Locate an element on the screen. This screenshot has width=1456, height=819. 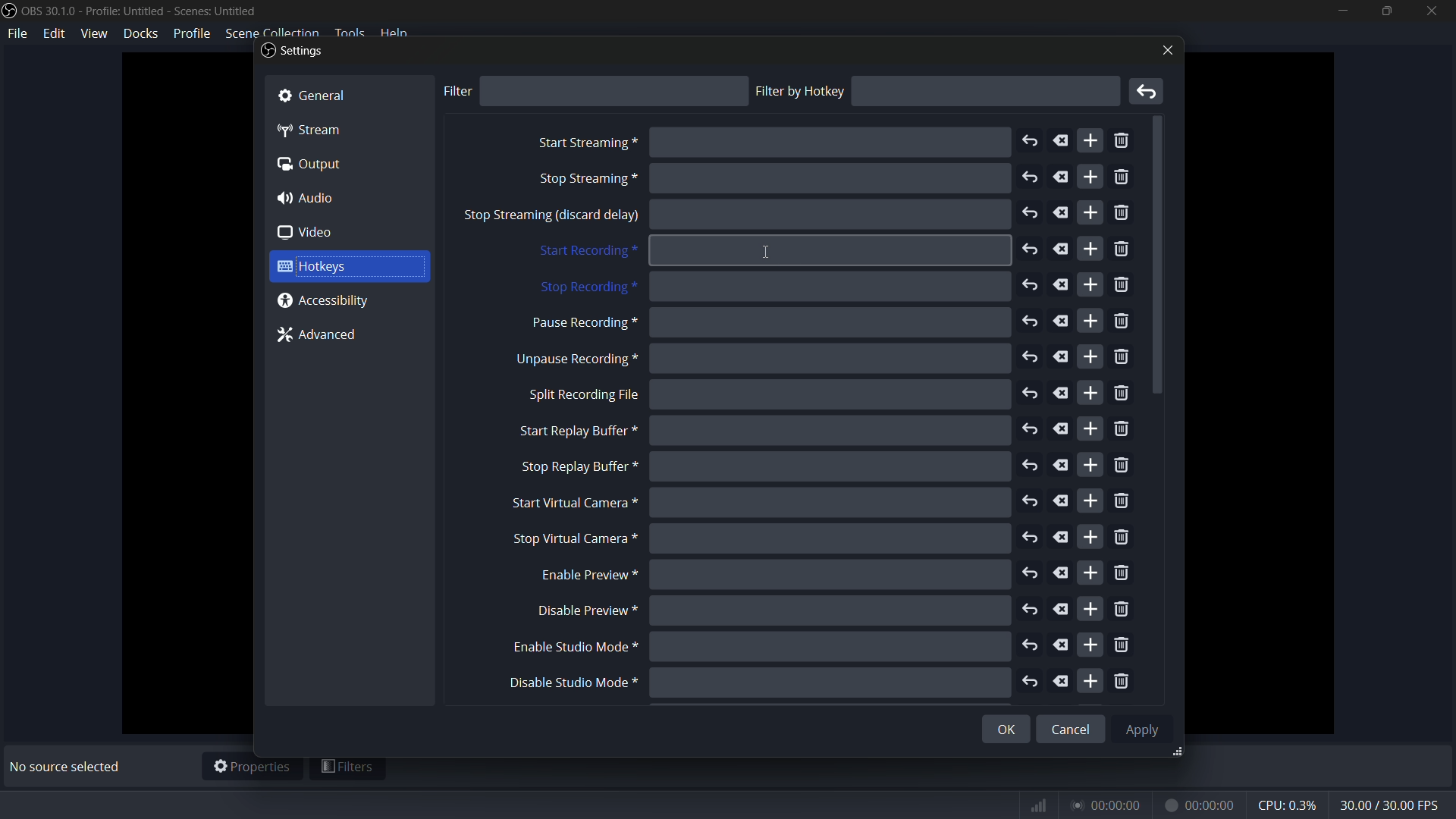
delete is located at coordinates (1061, 285).